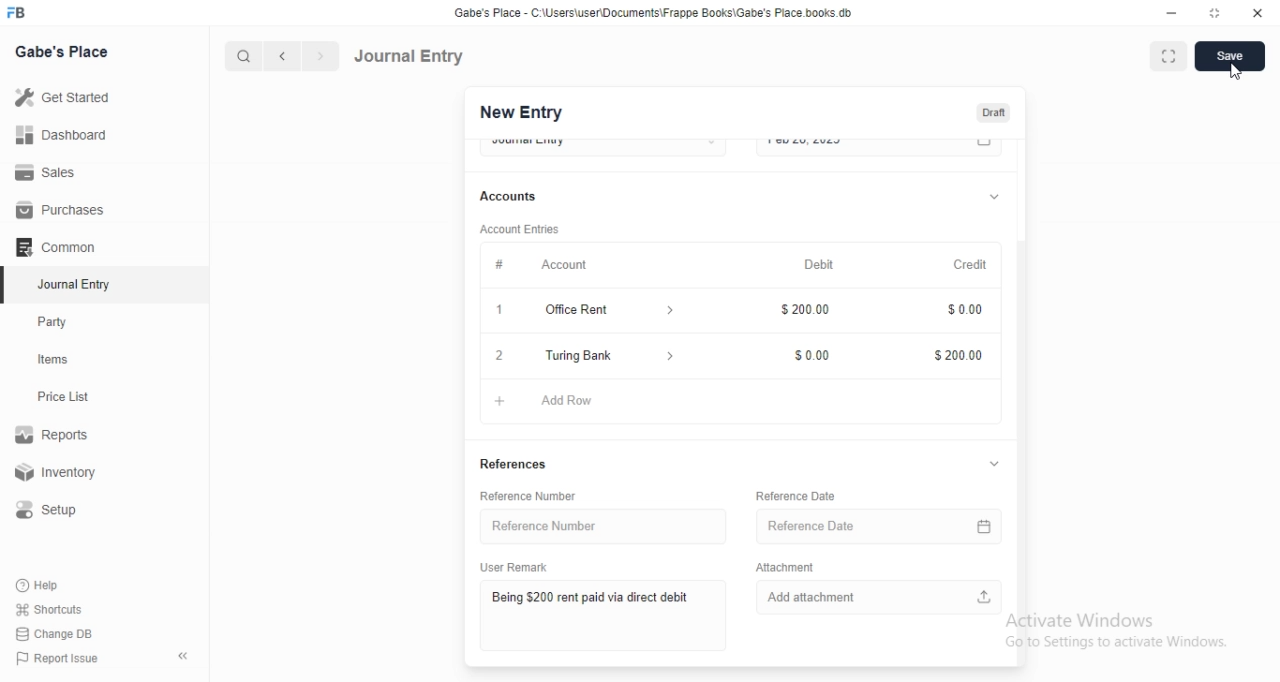  What do you see at coordinates (55, 438) in the screenshot?
I see `Reports.` at bounding box center [55, 438].